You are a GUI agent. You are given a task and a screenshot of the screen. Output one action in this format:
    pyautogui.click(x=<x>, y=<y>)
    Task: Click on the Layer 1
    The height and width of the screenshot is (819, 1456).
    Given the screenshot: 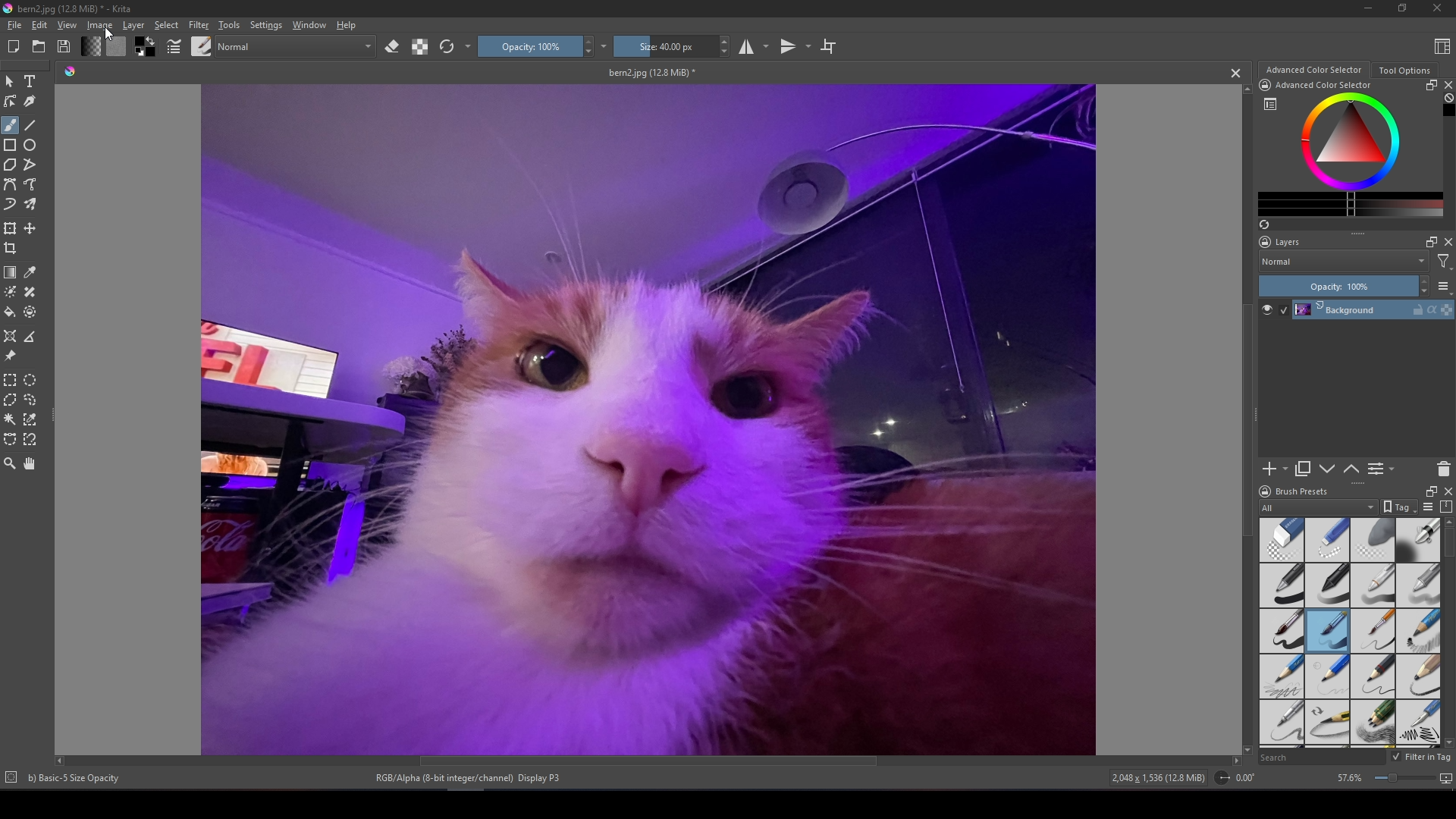 What is the action you would take?
    pyautogui.click(x=1374, y=309)
    